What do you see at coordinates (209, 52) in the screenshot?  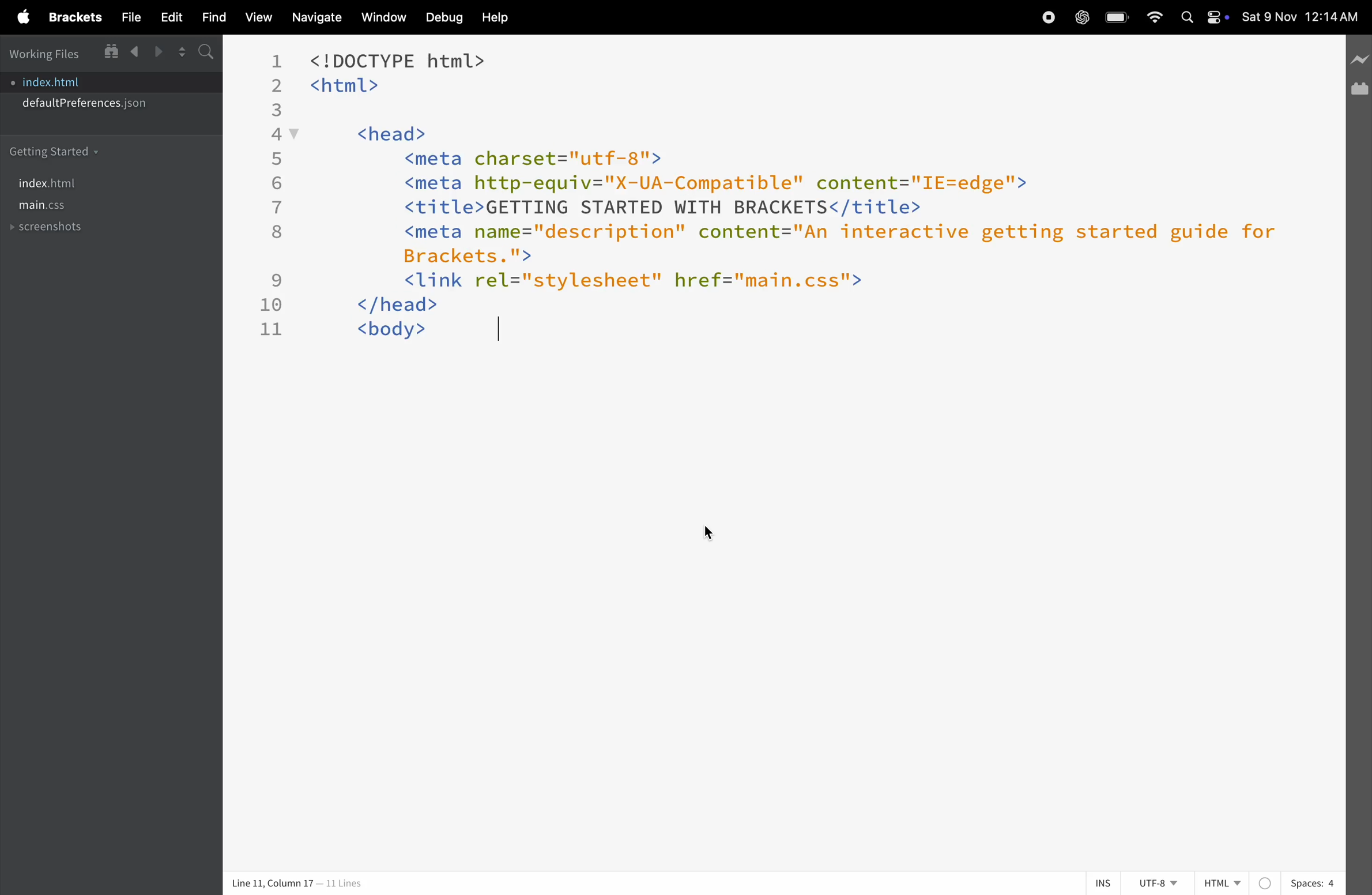 I see `search` at bounding box center [209, 52].